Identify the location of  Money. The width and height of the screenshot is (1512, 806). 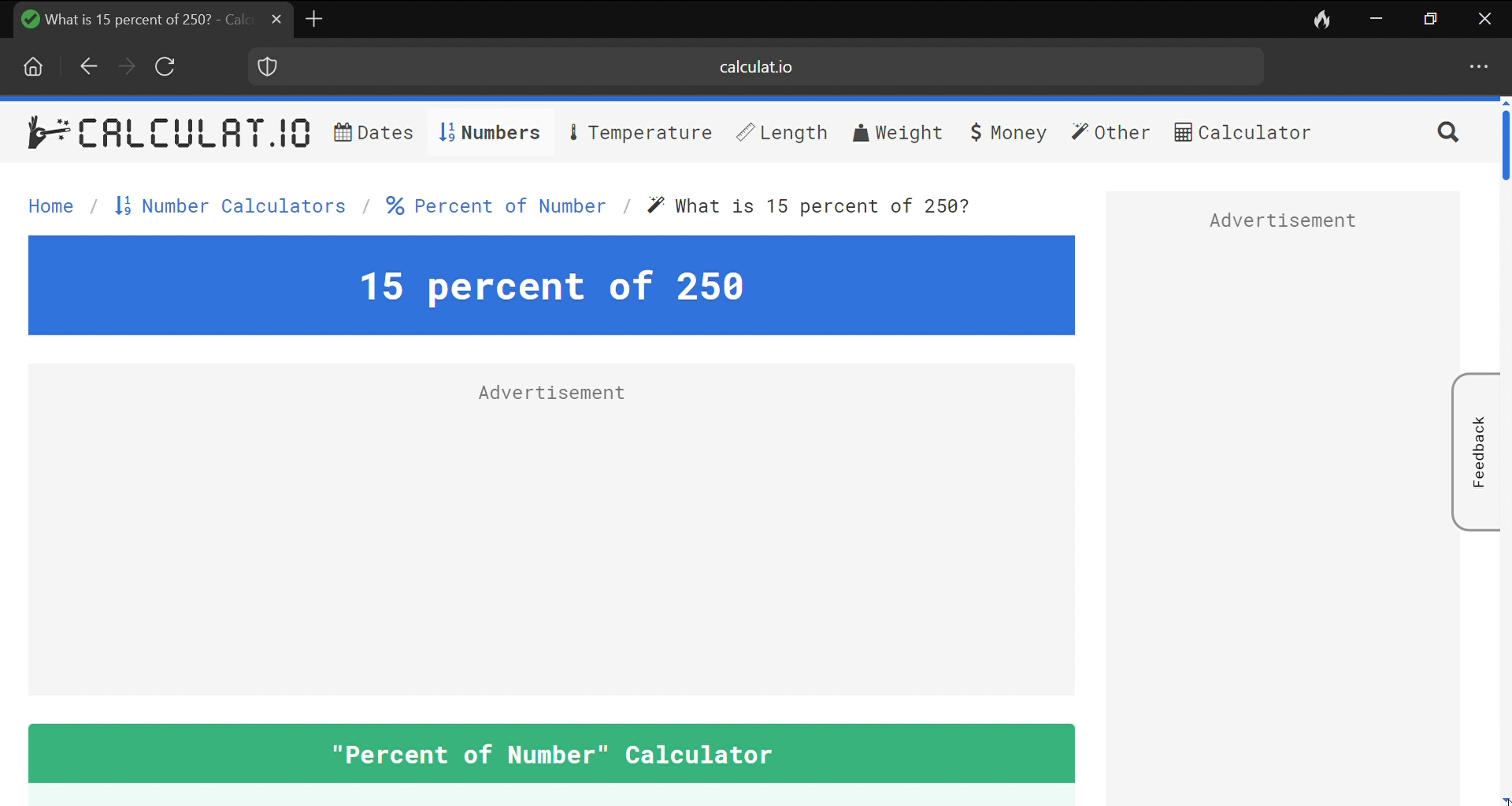
(1006, 132).